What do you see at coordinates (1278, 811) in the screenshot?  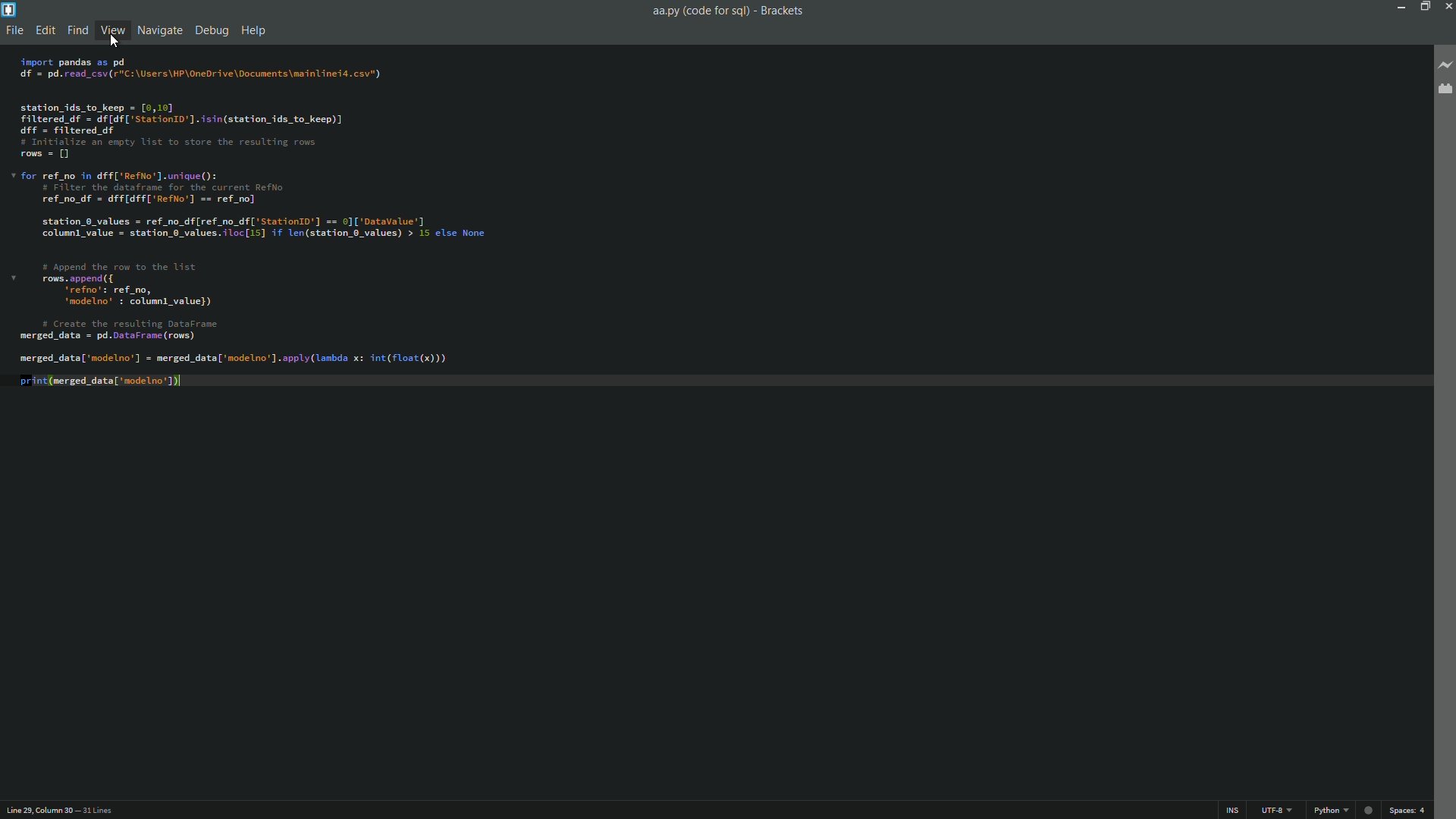 I see `file encoding` at bounding box center [1278, 811].